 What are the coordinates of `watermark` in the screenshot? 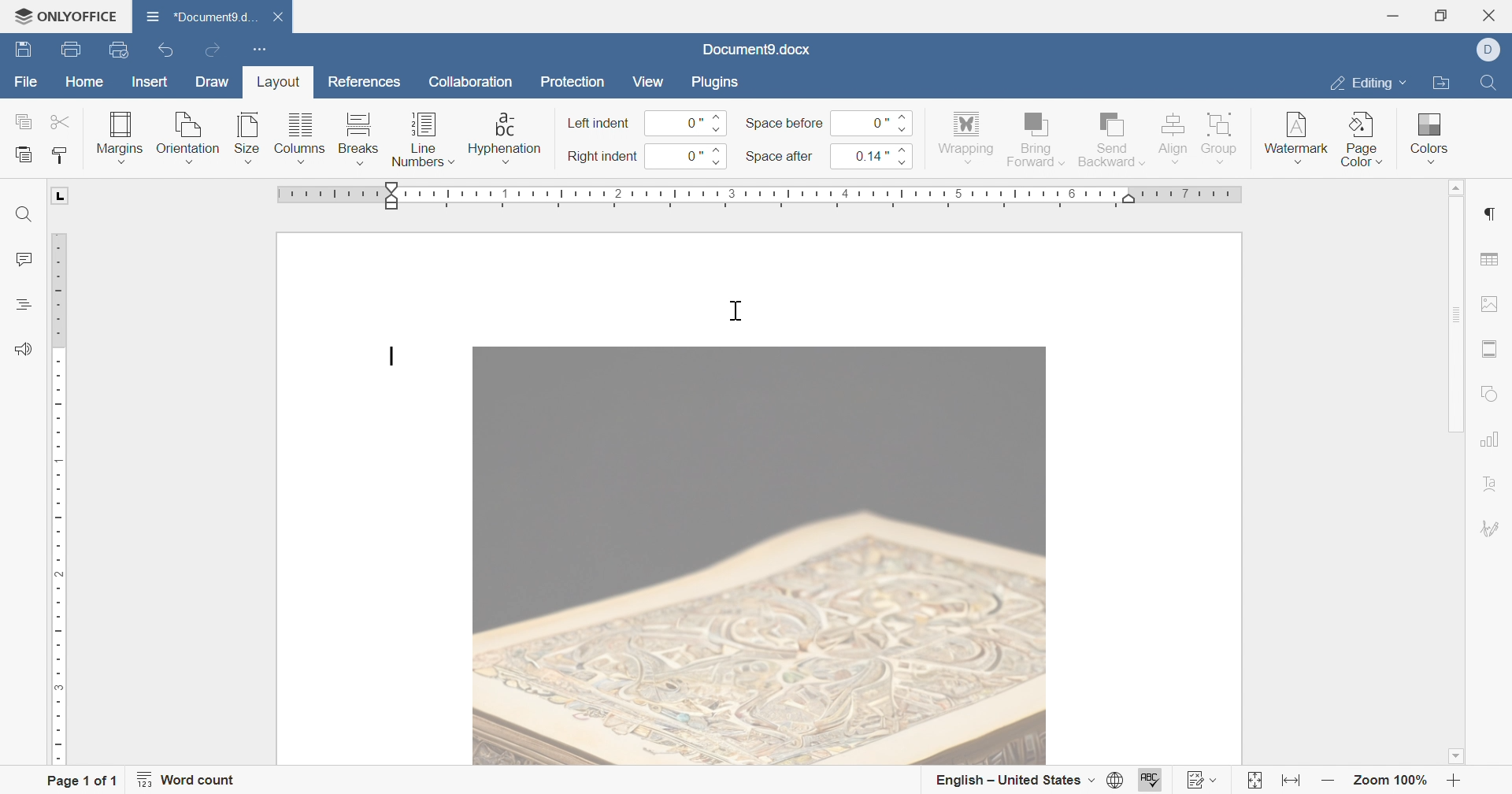 It's located at (1295, 133).